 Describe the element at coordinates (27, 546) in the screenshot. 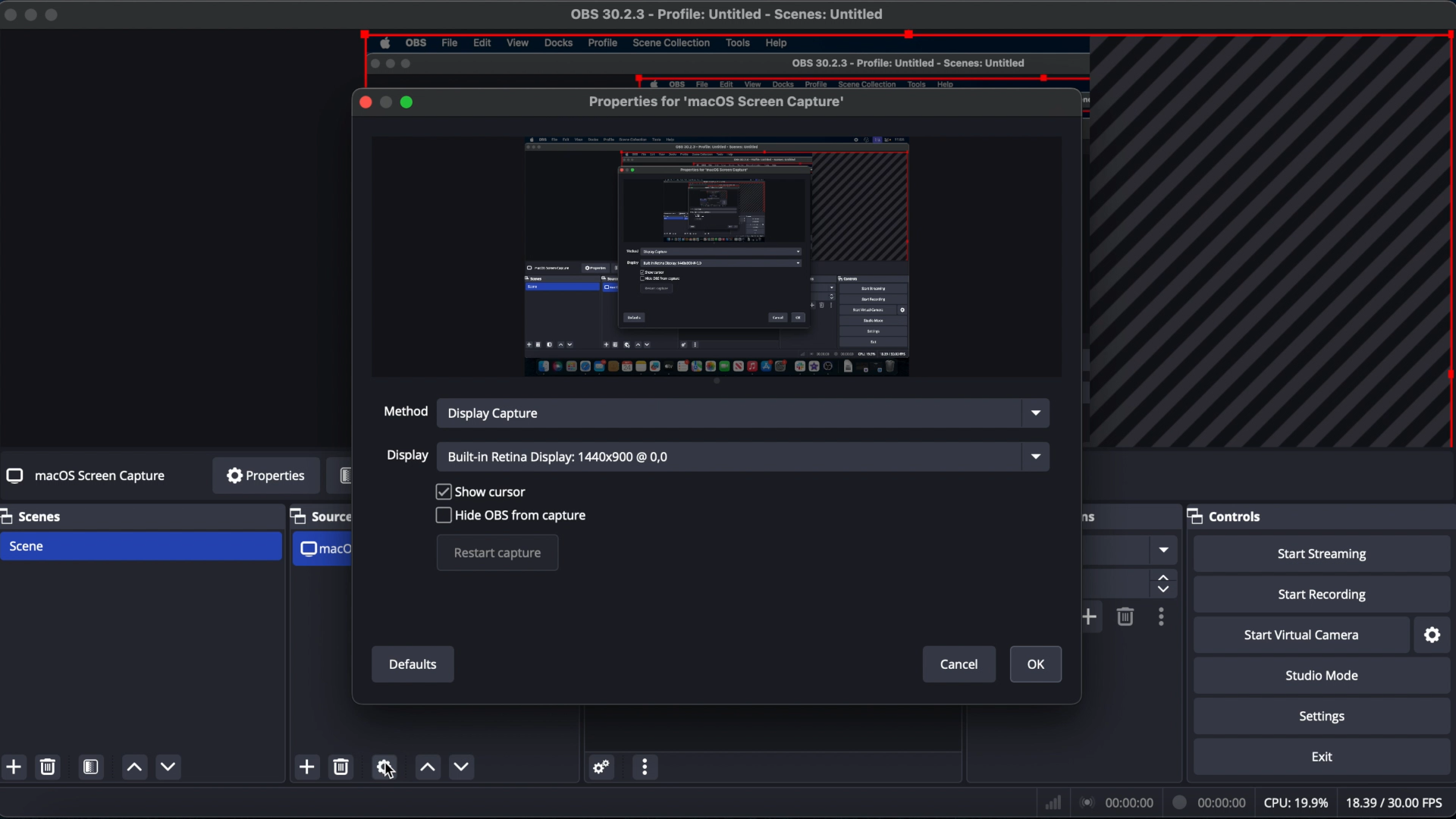

I see `scene` at that location.